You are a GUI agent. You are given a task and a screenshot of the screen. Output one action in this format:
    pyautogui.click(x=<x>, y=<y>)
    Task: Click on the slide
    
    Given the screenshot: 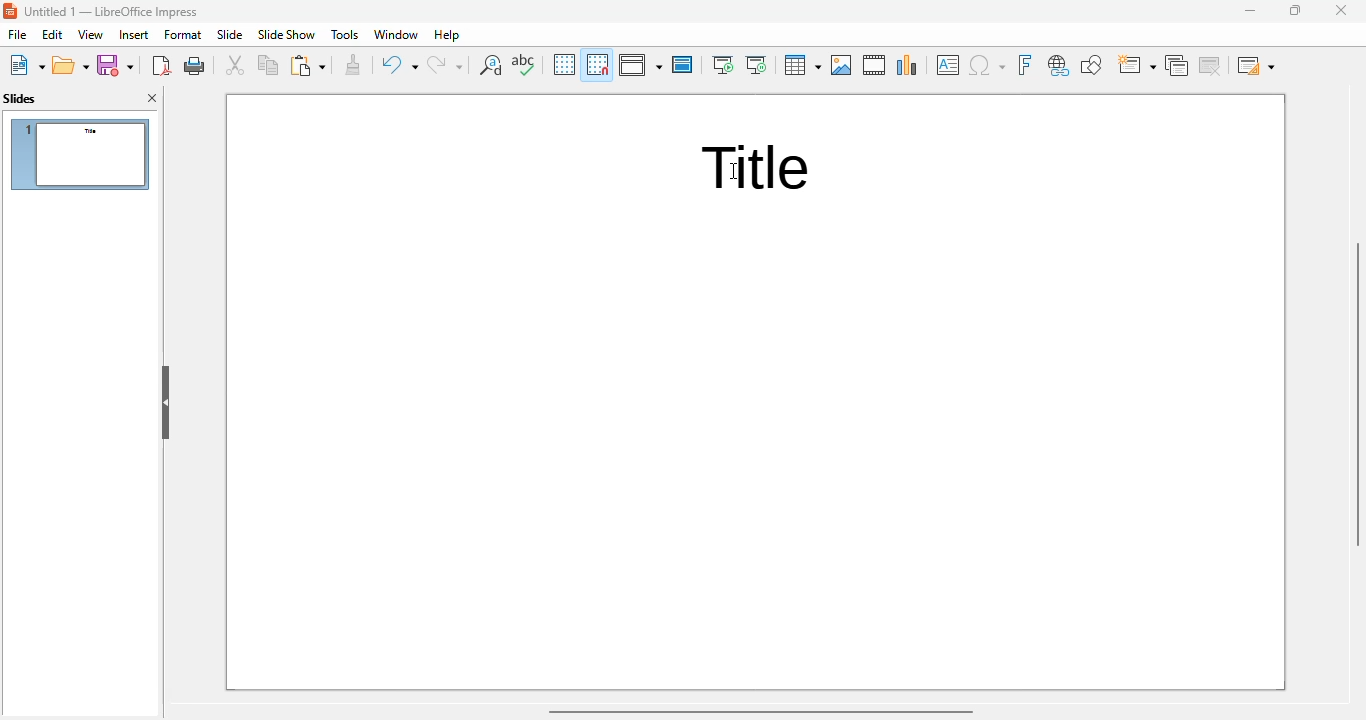 What is the action you would take?
    pyautogui.click(x=230, y=35)
    